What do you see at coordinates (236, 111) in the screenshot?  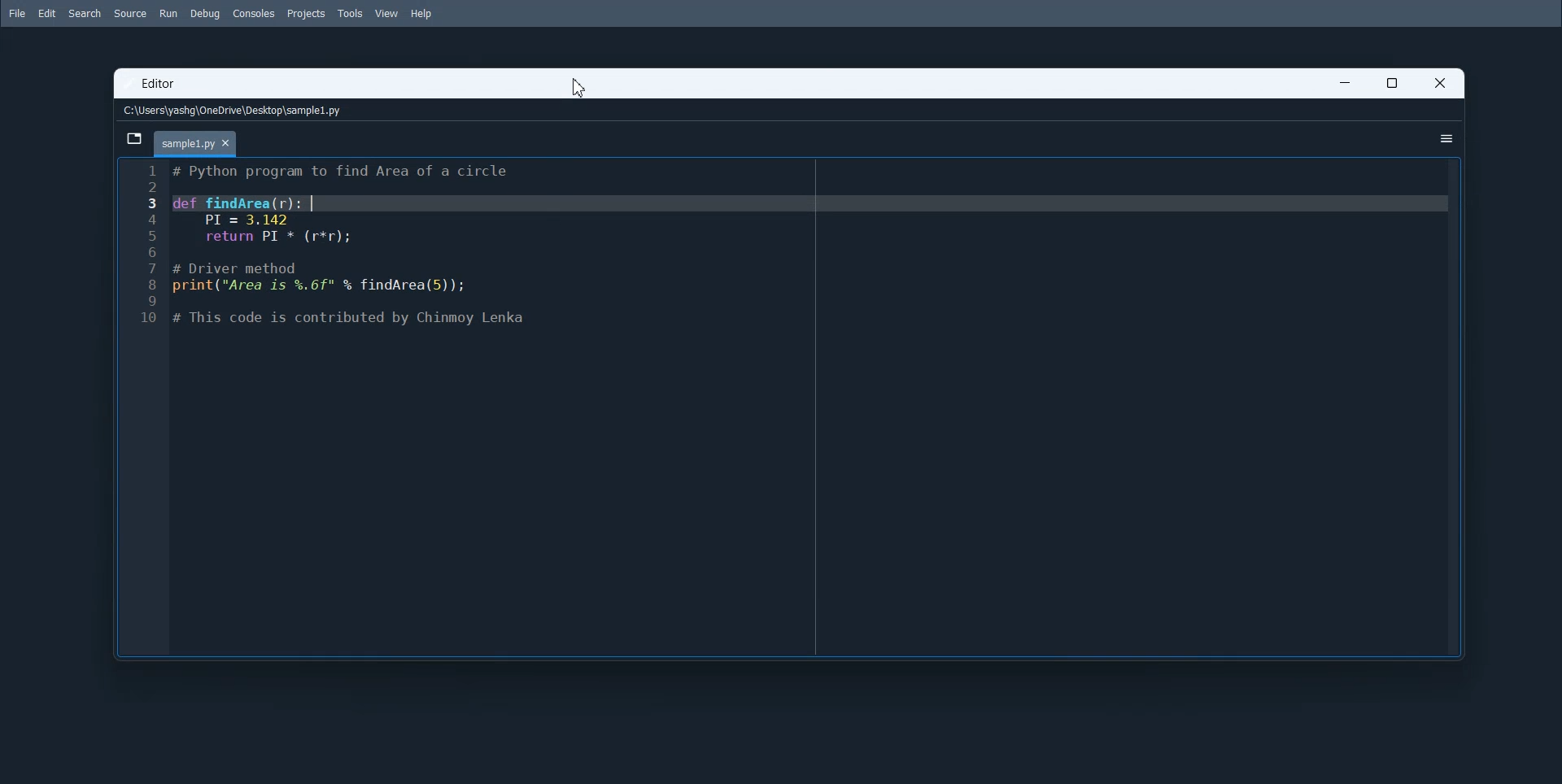 I see `File Path address` at bounding box center [236, 111].